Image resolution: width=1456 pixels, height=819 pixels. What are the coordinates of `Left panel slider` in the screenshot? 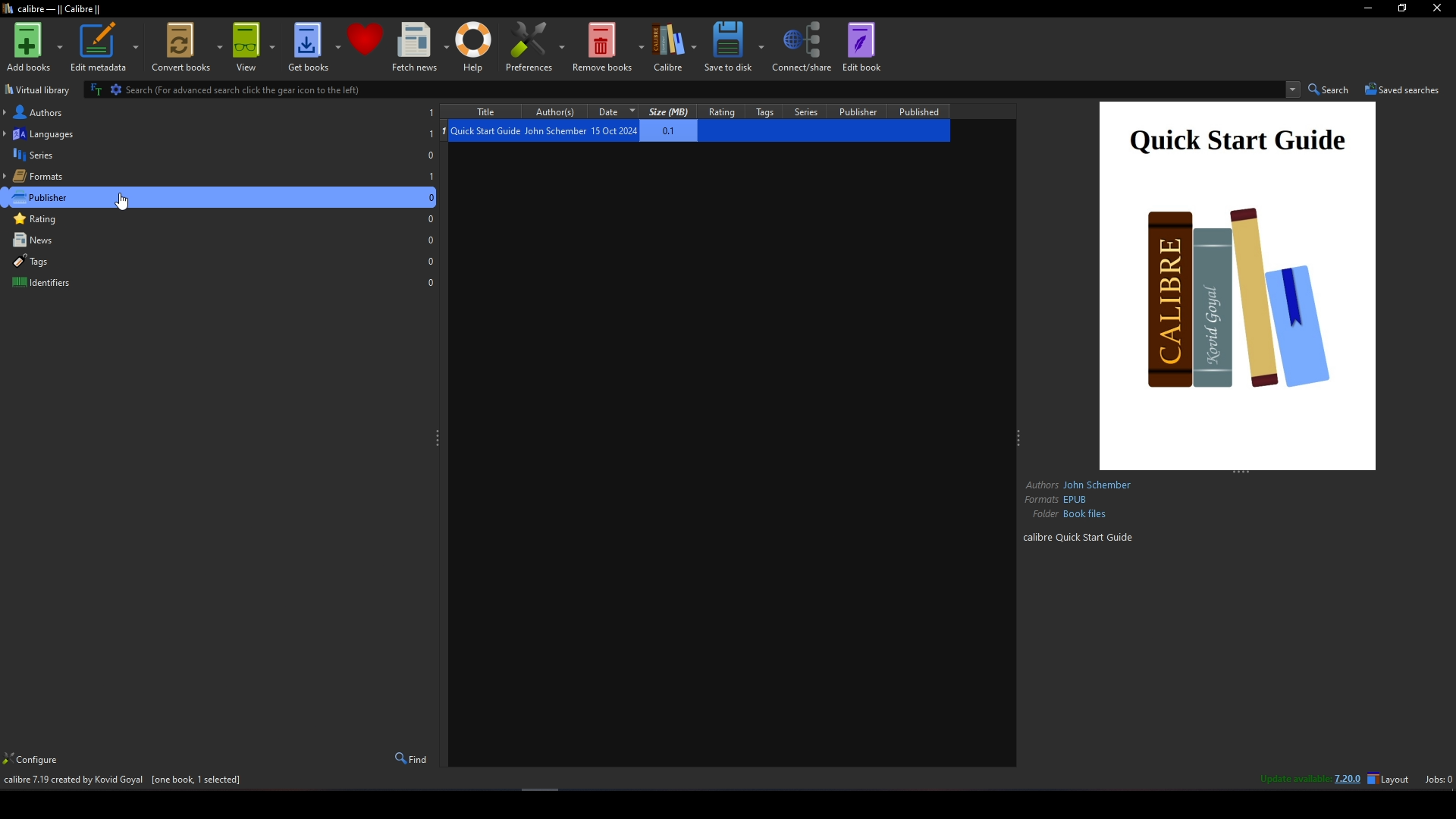 It's located at (438, 439).